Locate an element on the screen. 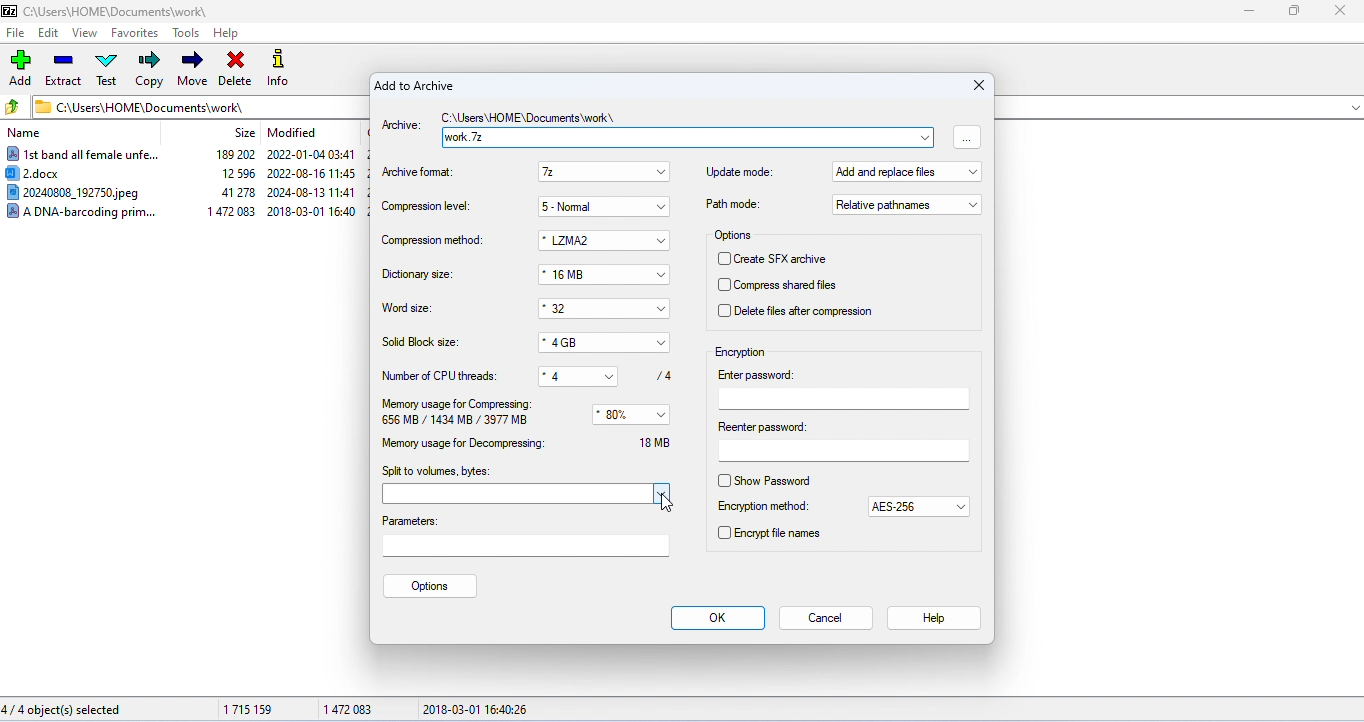 This screenshot has height=722, width=1364. drop down is located at coordinates (962, 507).